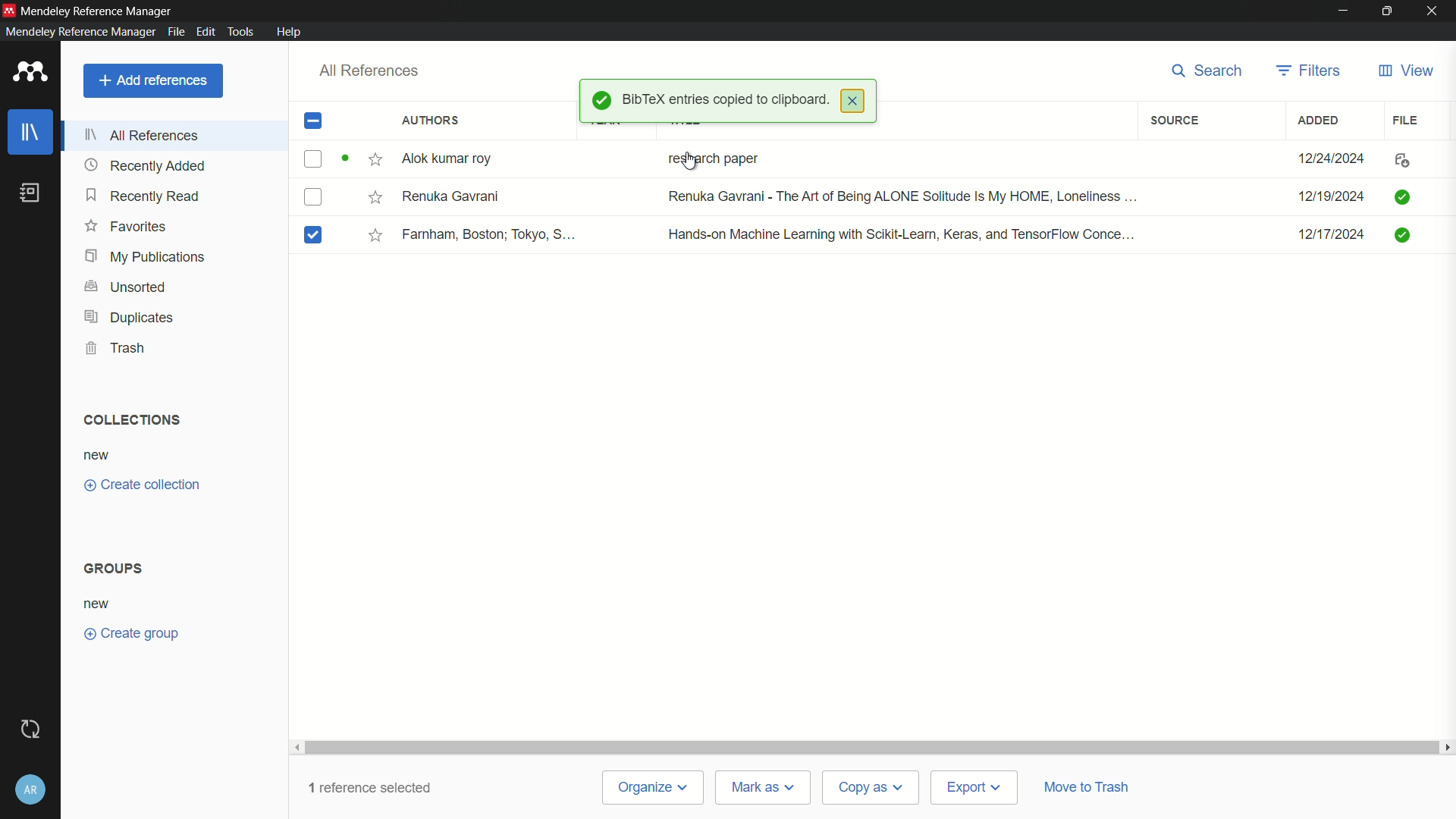 The image size is (1456, 819). Describe the element at coordinates (132, 633) in the screenshot. I see `create group` at that location.